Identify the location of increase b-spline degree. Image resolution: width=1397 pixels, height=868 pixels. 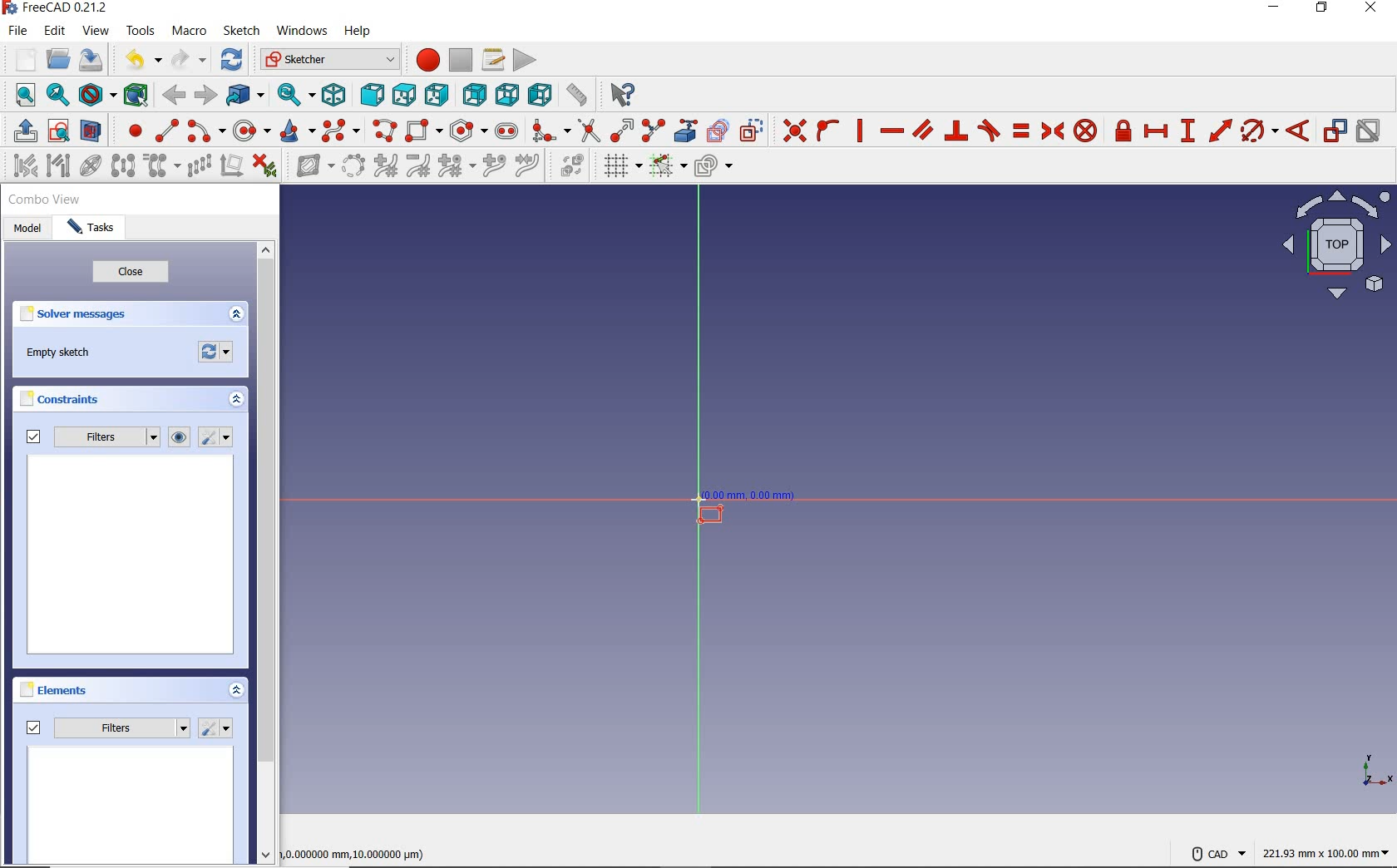
(384, 167).